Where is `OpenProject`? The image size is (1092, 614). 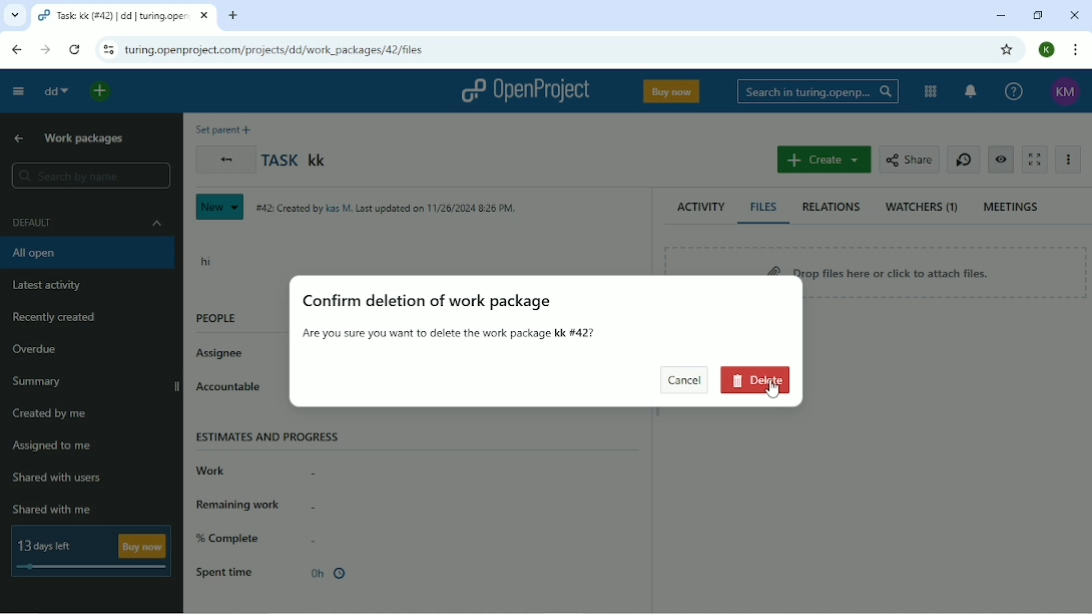
OpenProject is located at coordinates (524, 91).